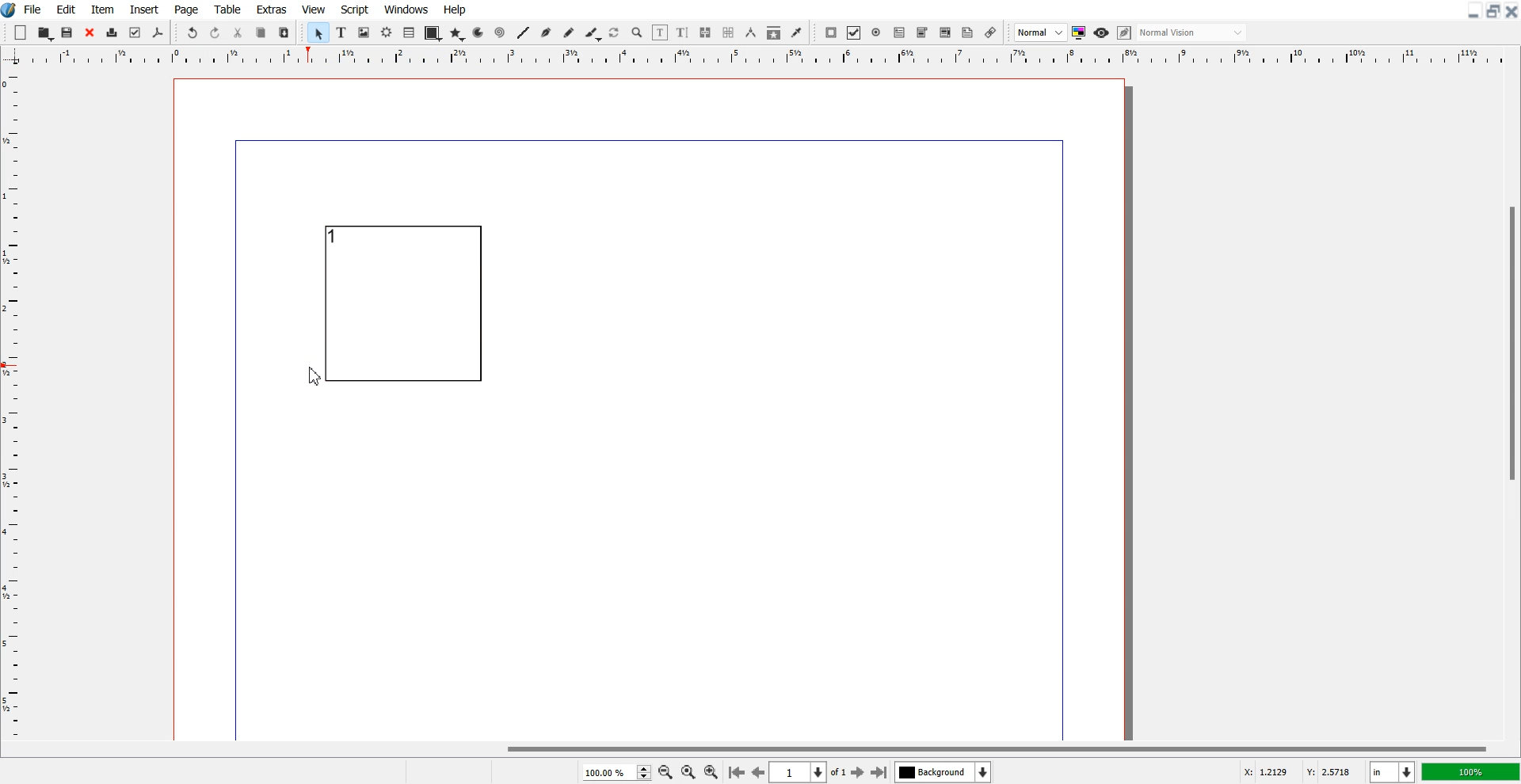 This screenshot has width=1521, height=784. I want to click on close, so click(1511, 12).